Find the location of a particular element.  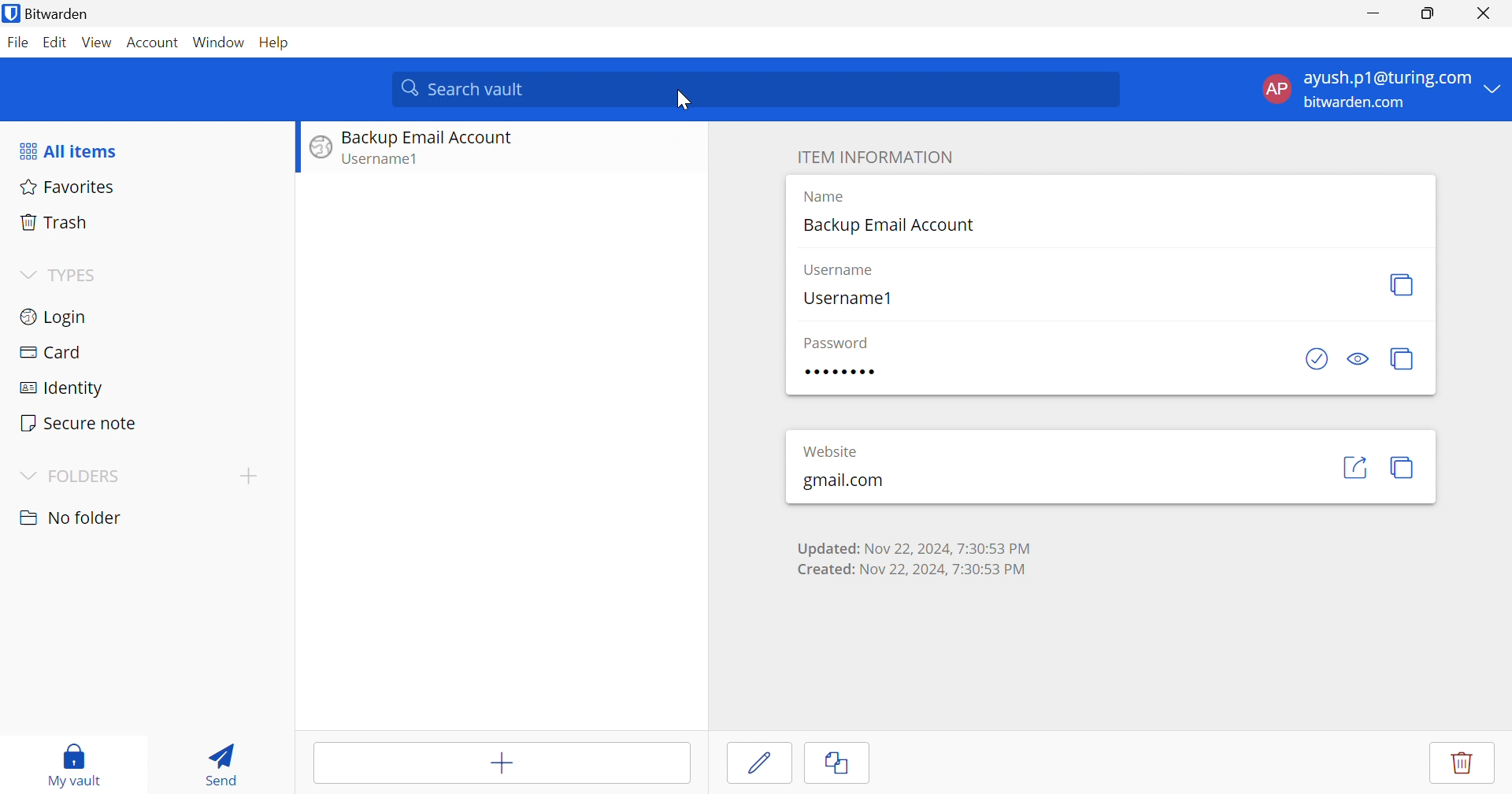

Backup Email Account is located at coordinates (428, 135).